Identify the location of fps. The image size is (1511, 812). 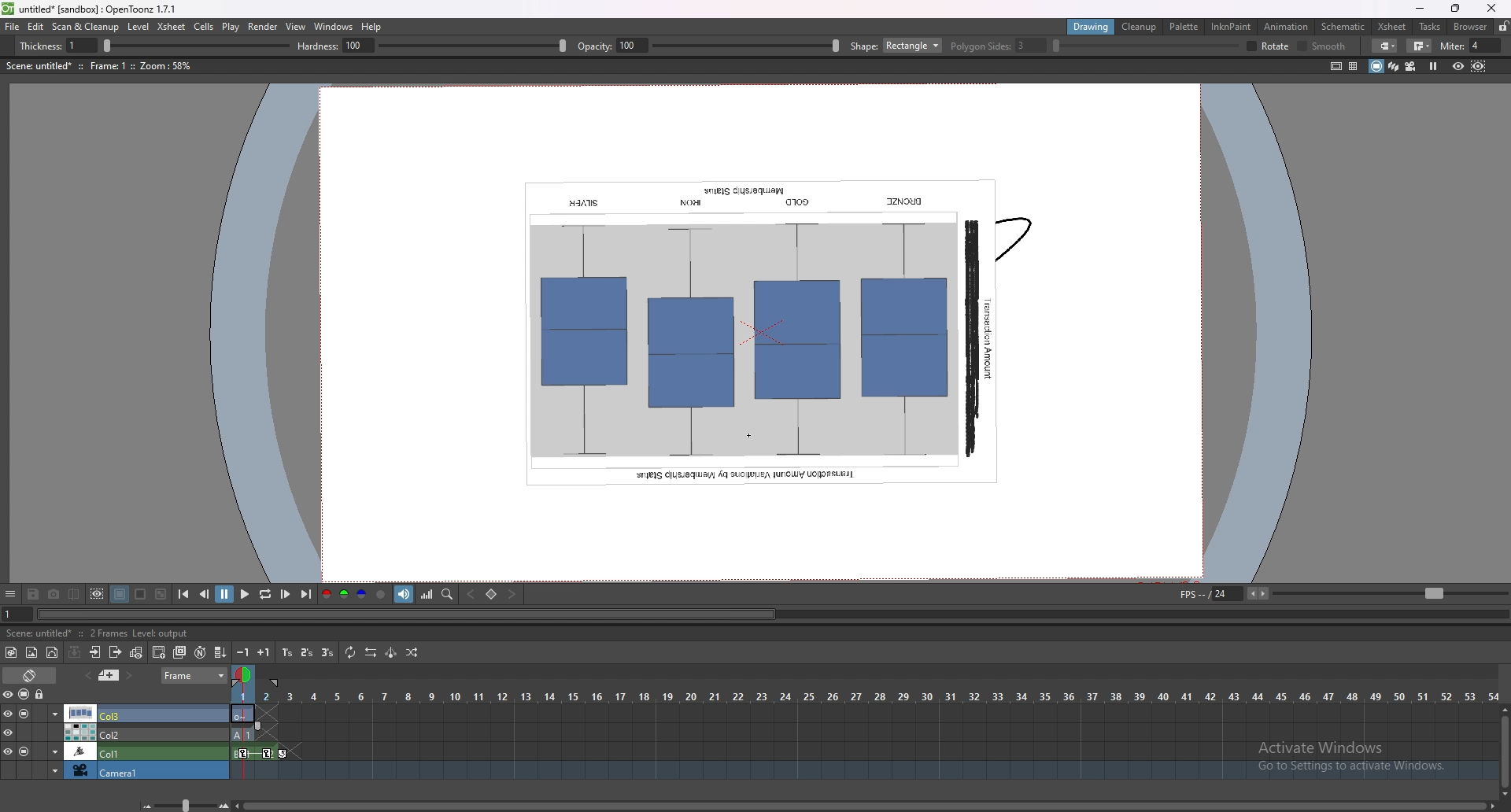
(1341, 592).